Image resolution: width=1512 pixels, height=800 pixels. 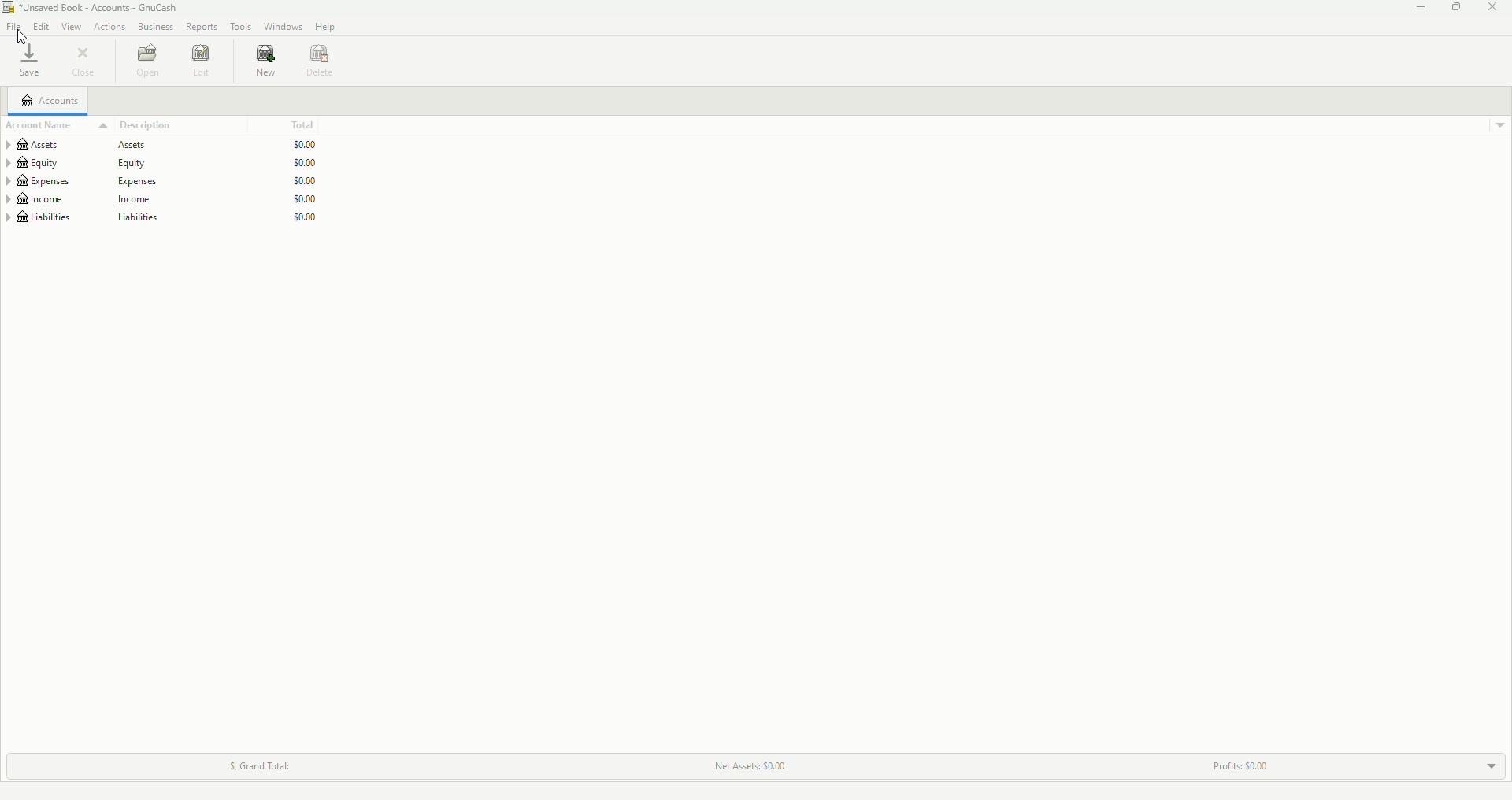 I want to click on Assets, so click(x=163, y=143).